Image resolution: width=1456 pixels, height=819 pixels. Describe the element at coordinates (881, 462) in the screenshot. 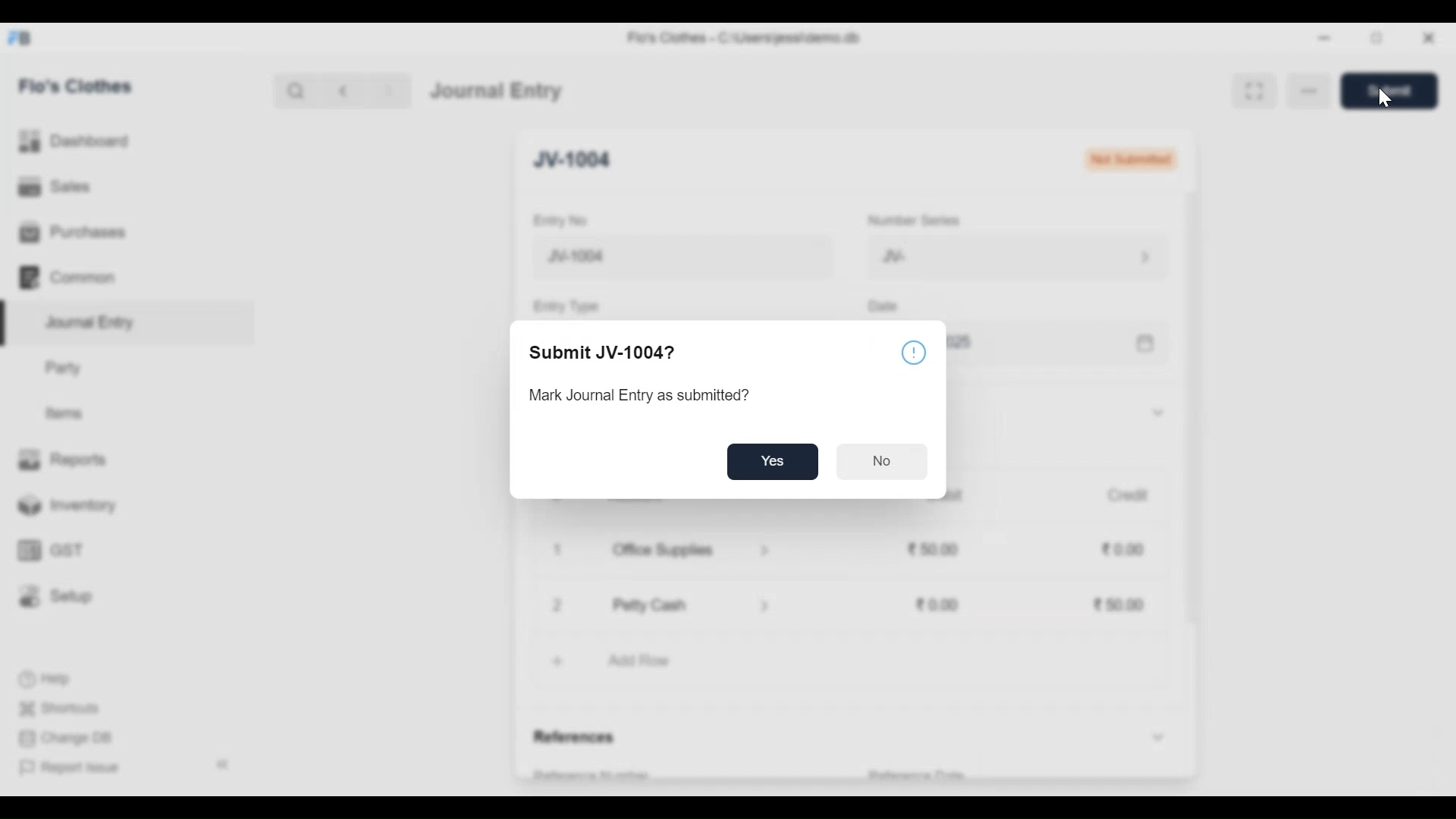

I see `No` at that location.